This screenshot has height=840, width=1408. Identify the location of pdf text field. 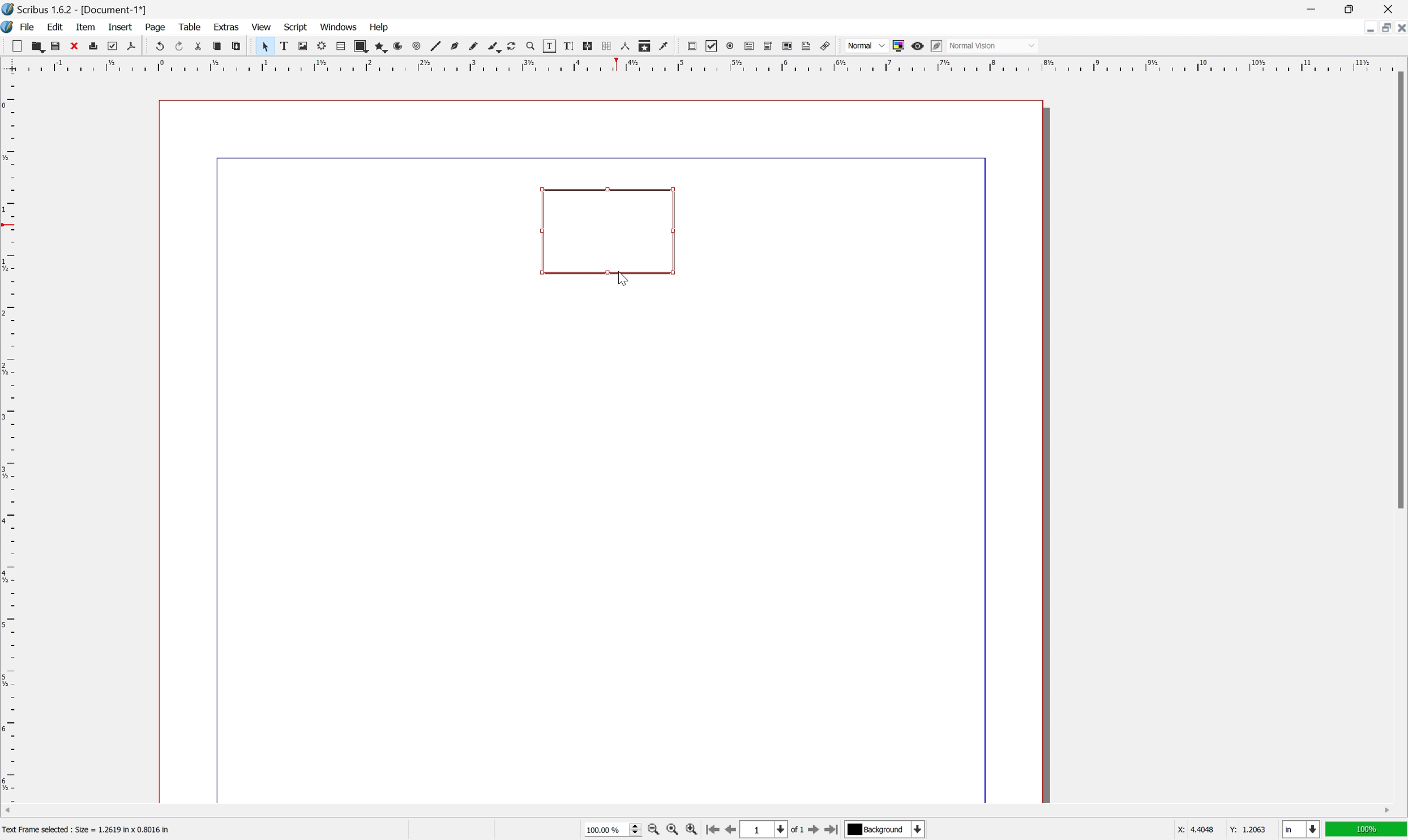
(749, 47).